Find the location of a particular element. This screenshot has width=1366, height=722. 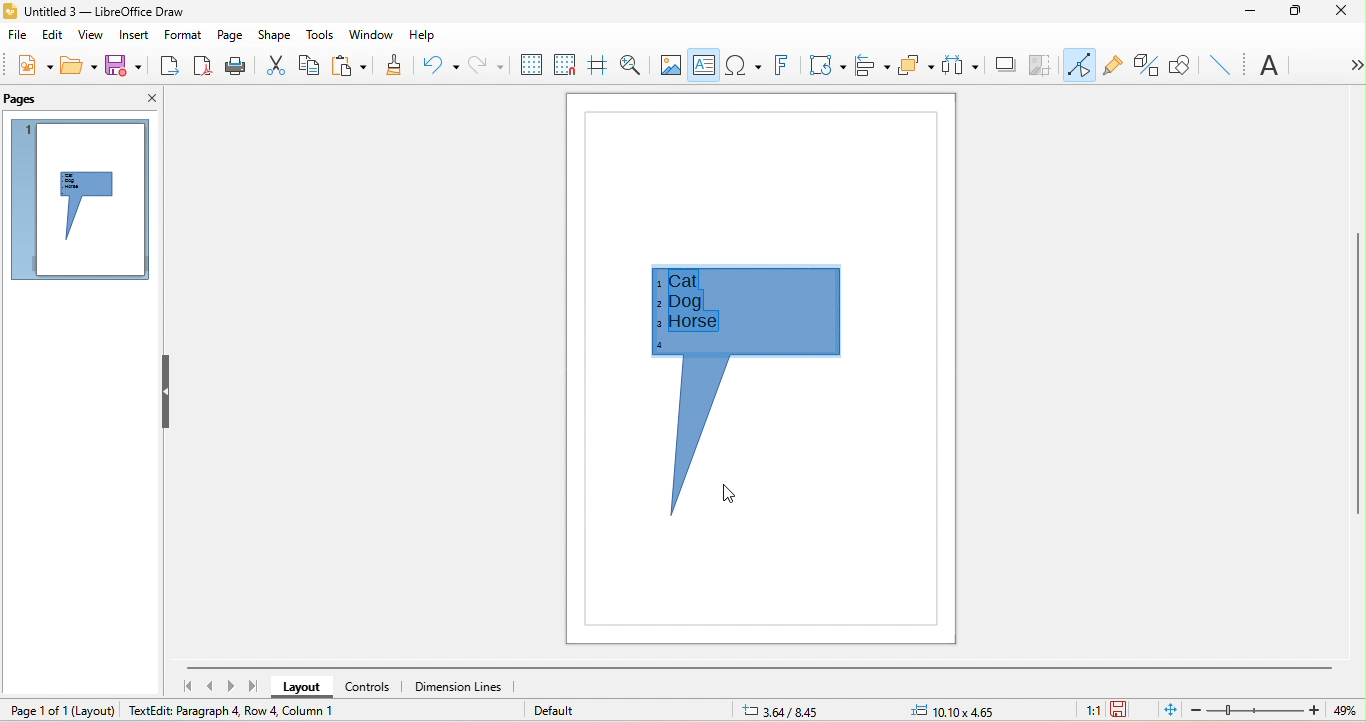

format is located at coordinates (181, 37).